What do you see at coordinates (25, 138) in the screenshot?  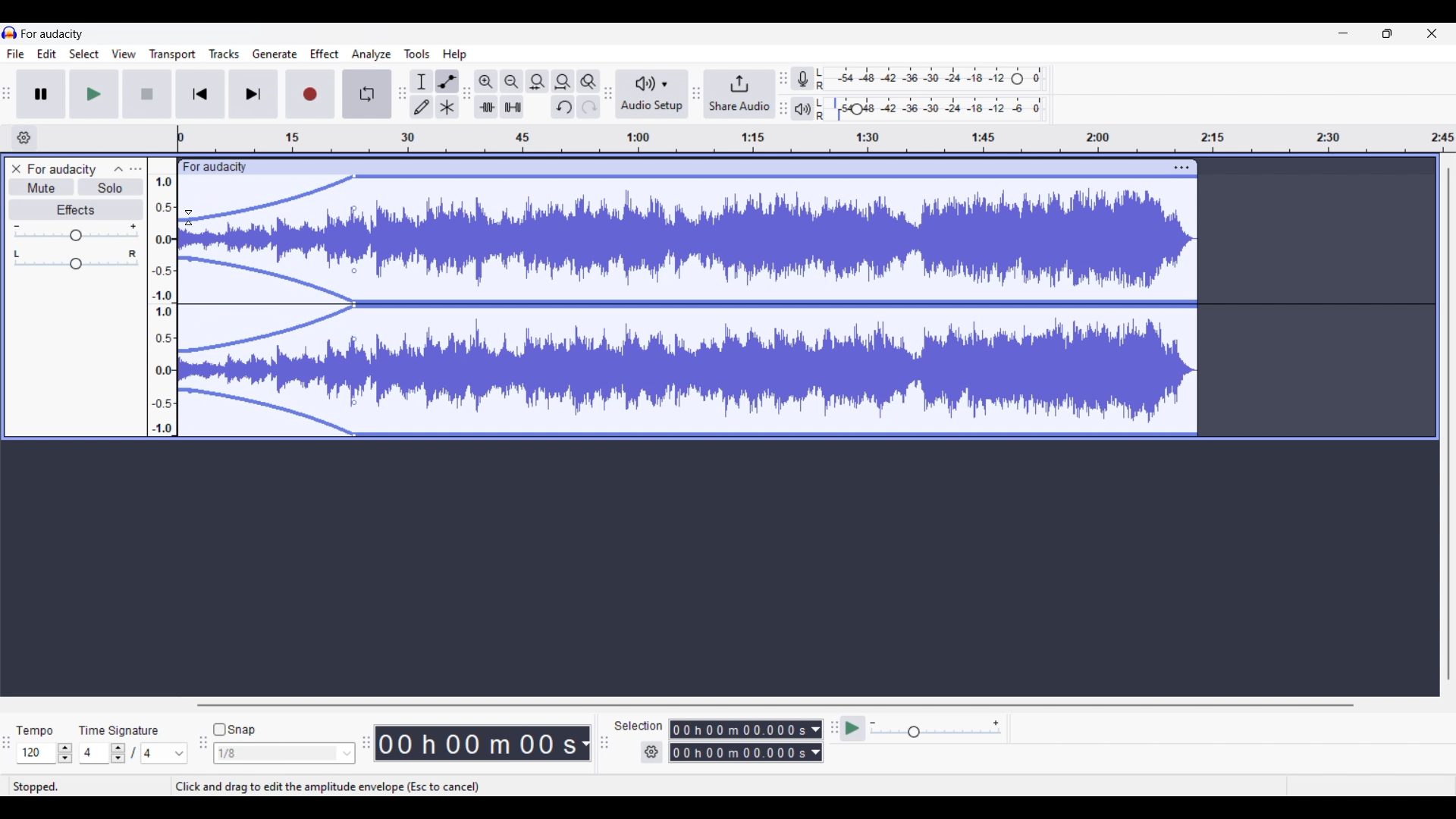 I see `Timeline options` at bounding box center [25, 138].